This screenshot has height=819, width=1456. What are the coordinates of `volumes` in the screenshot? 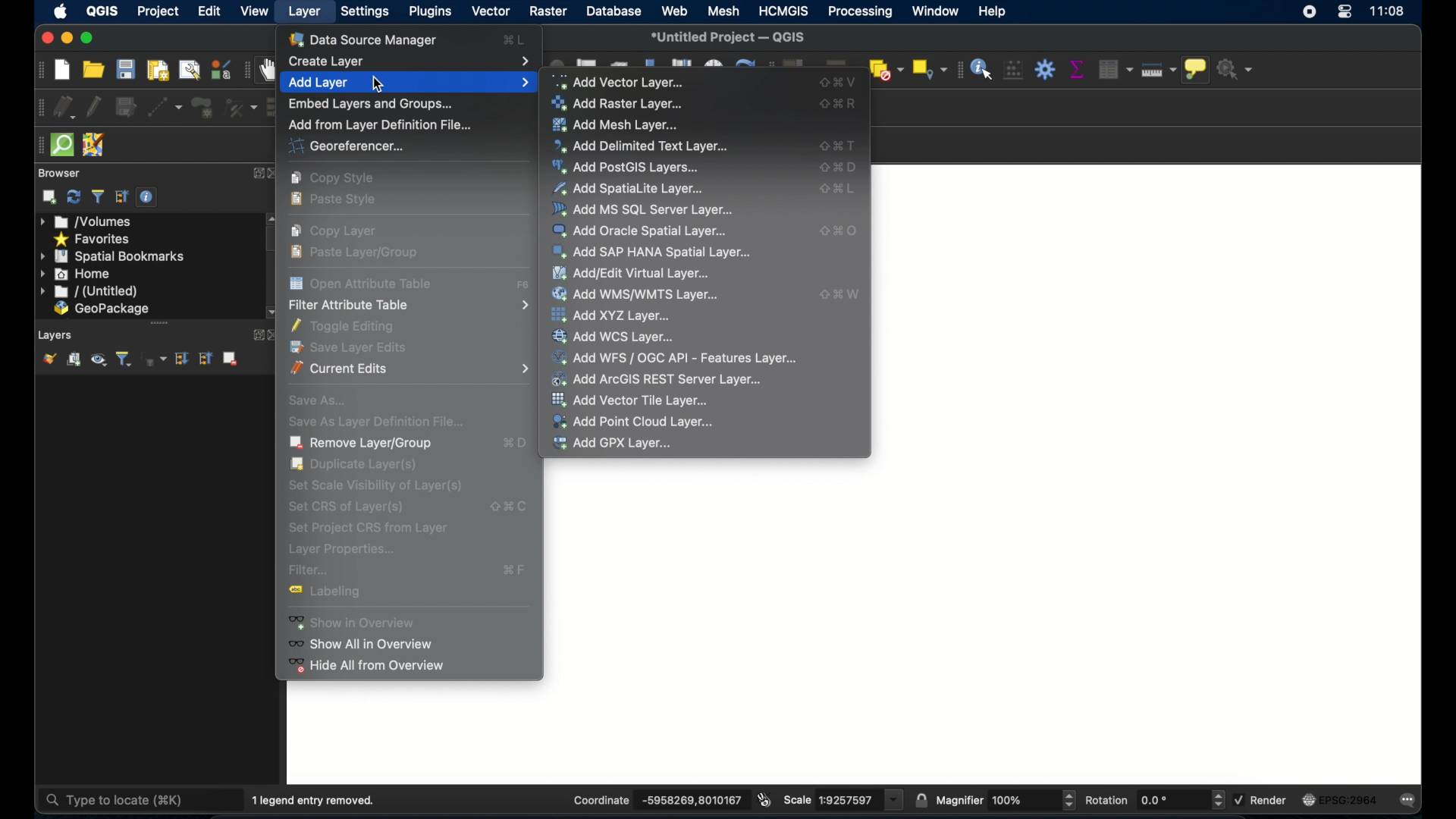 It's located at (87, 222).